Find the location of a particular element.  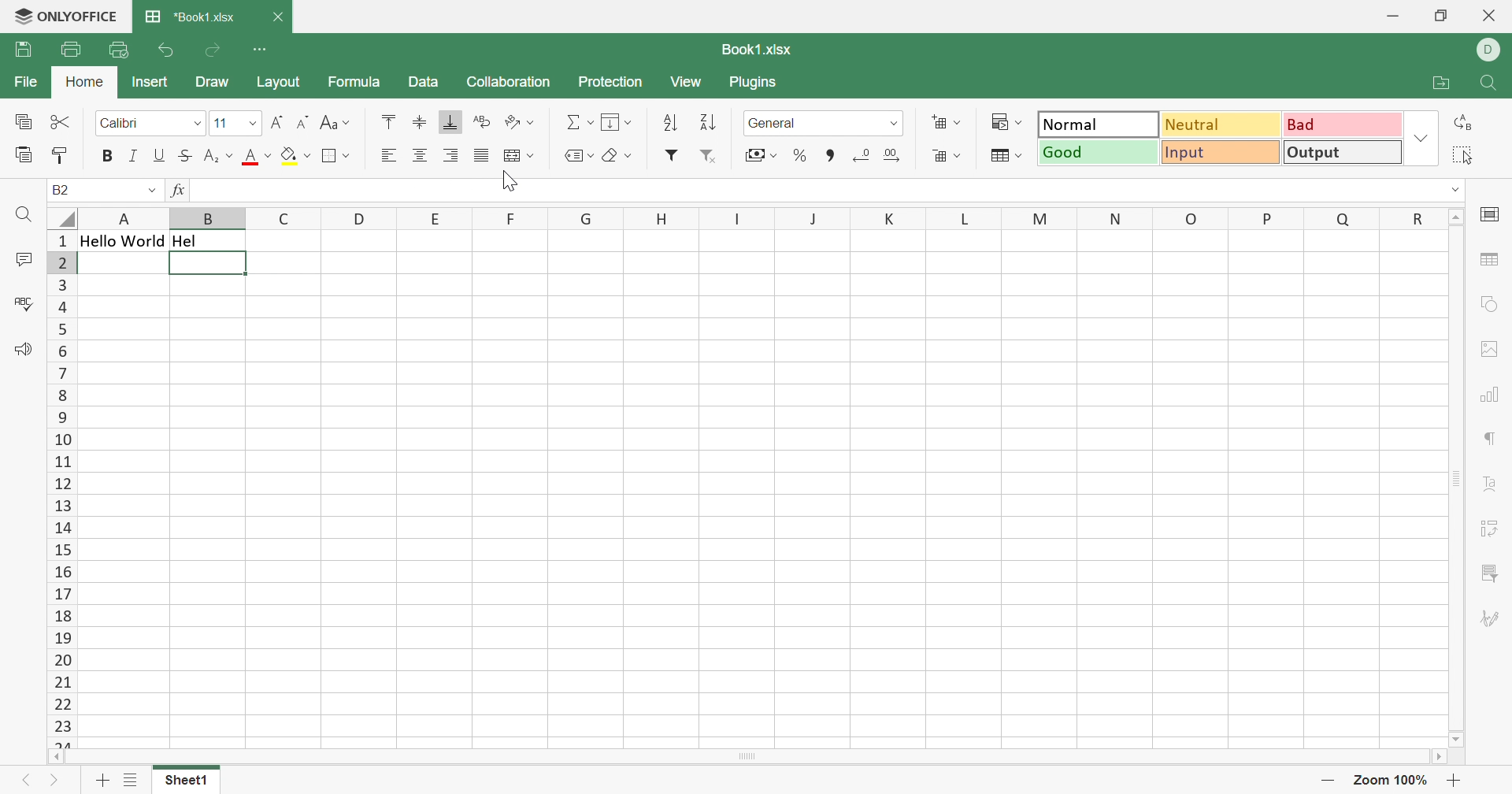

Neutral is located at coordinates (1220, 124).